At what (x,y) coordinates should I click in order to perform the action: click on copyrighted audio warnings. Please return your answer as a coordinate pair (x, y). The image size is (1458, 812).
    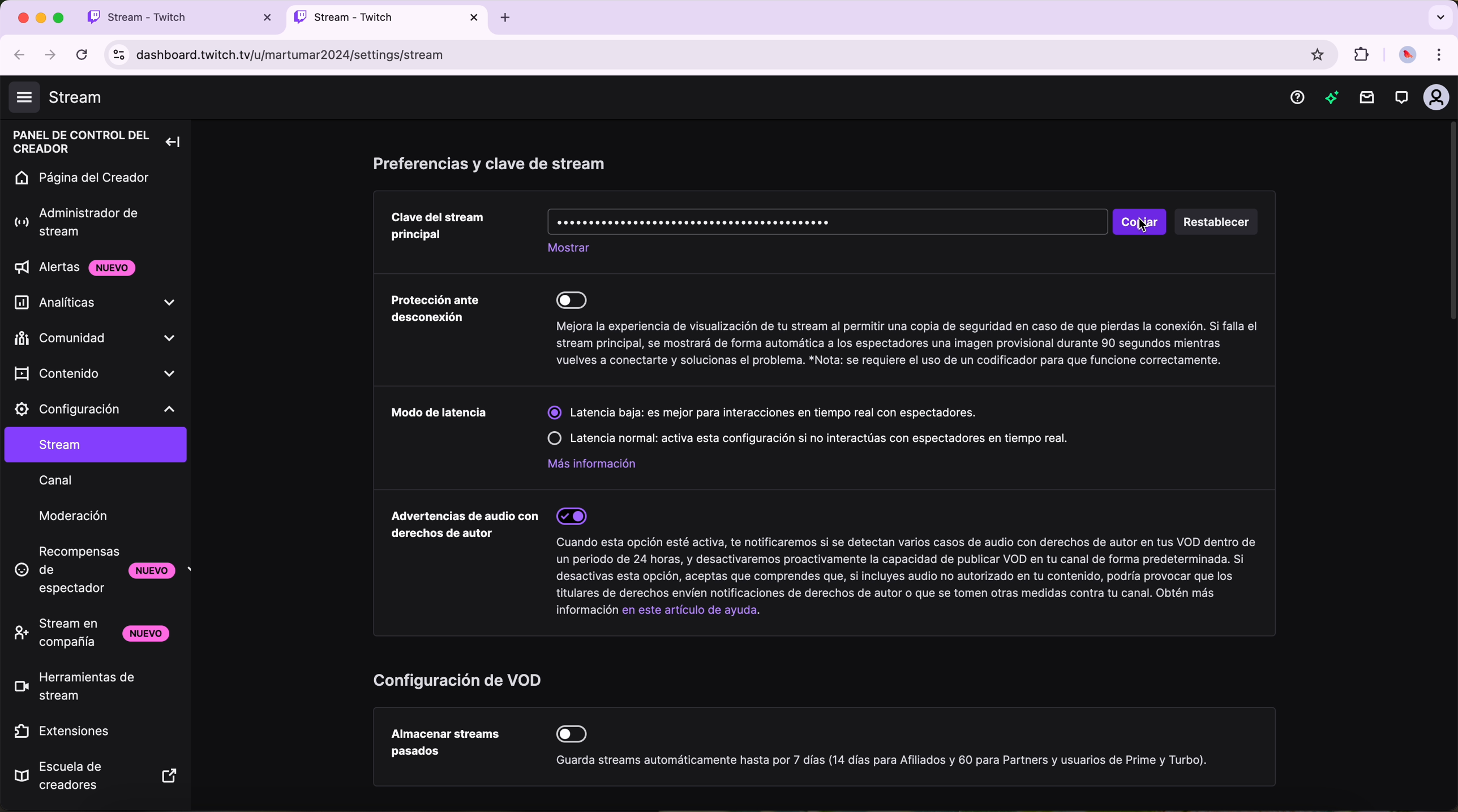
    Looking at the image, I should click on (466, 523).